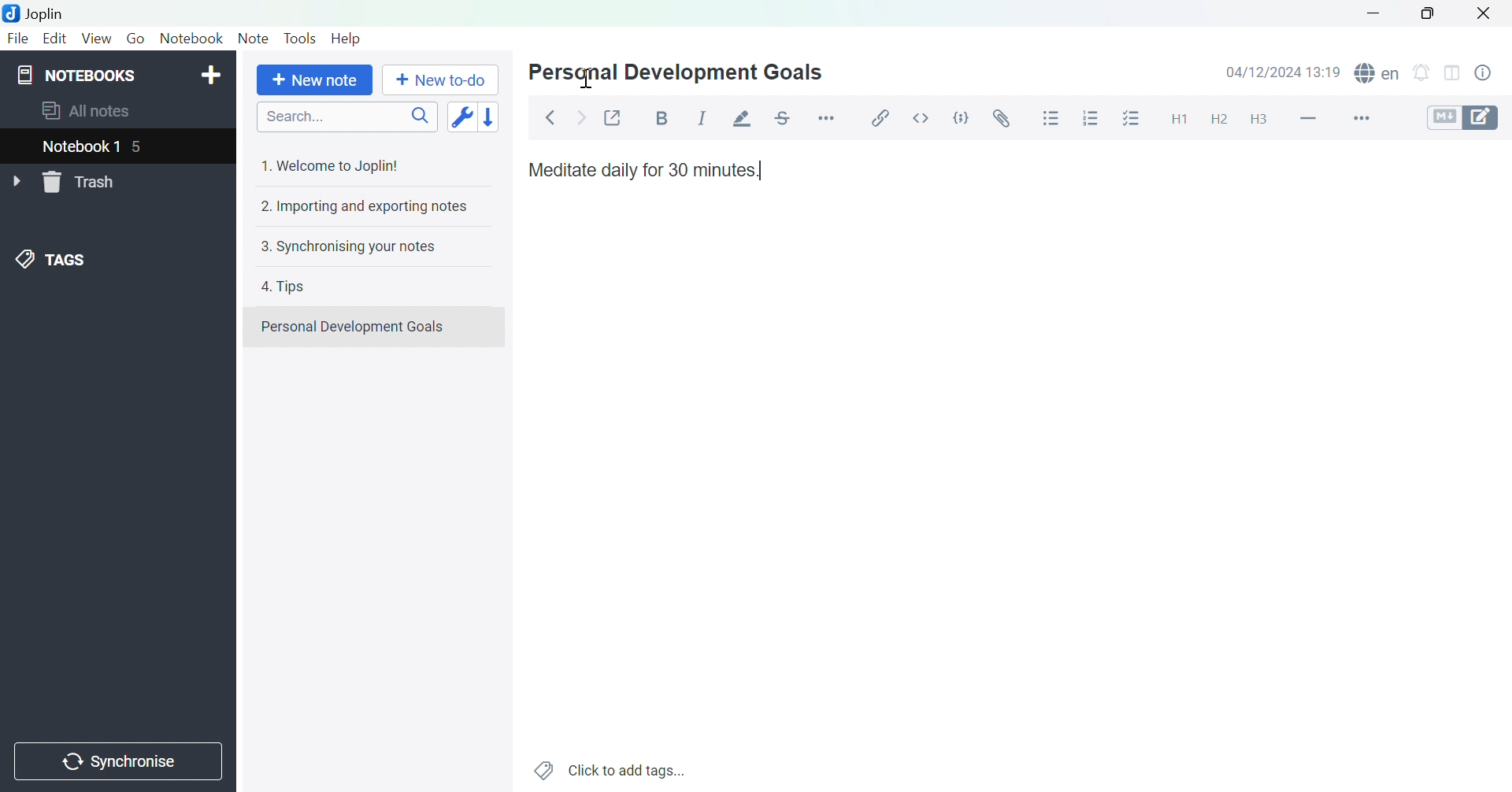  I want to click on 2. Importing and exporting notes, so click(362, 207).